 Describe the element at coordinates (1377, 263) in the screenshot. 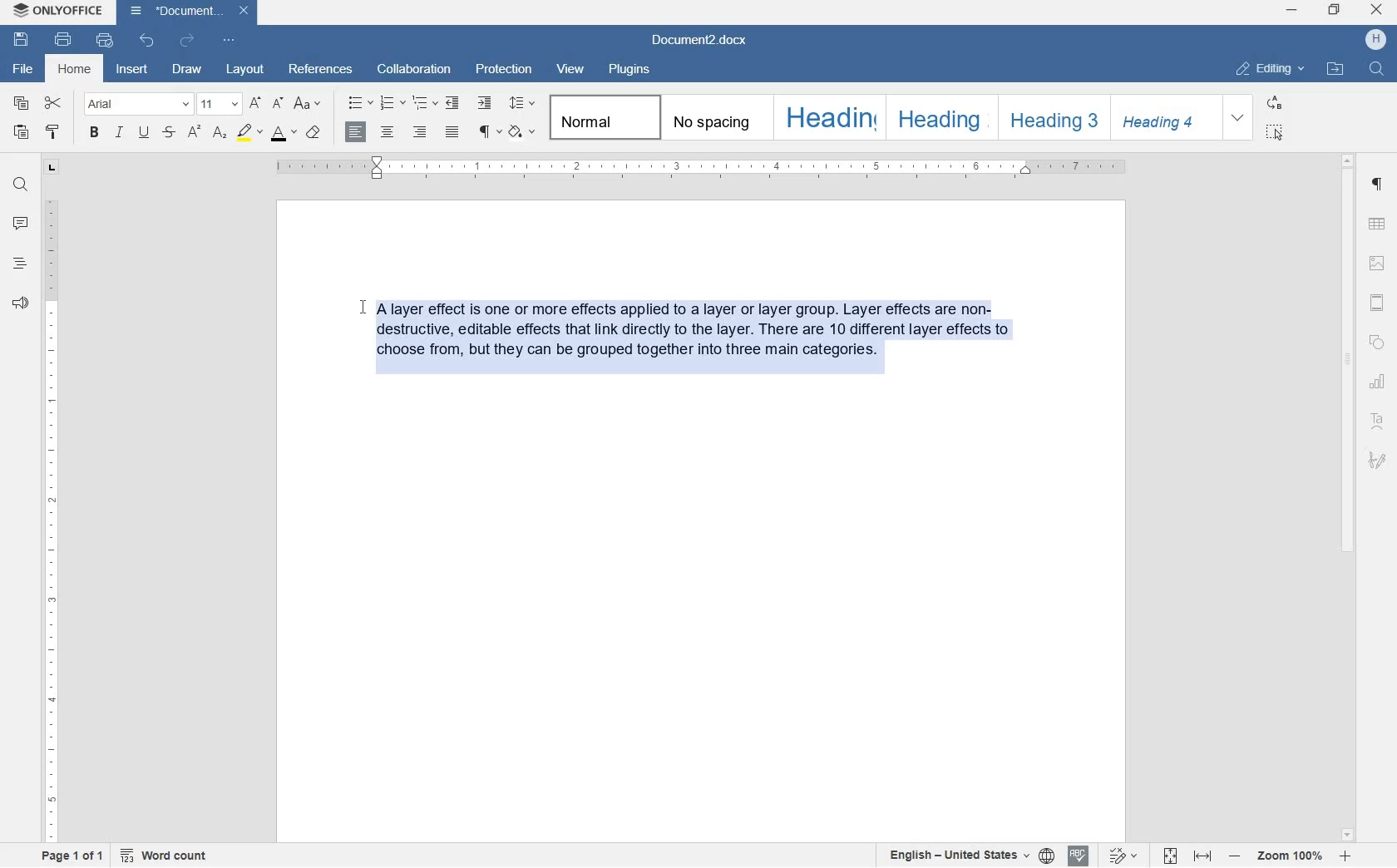

I see `image` at that location.